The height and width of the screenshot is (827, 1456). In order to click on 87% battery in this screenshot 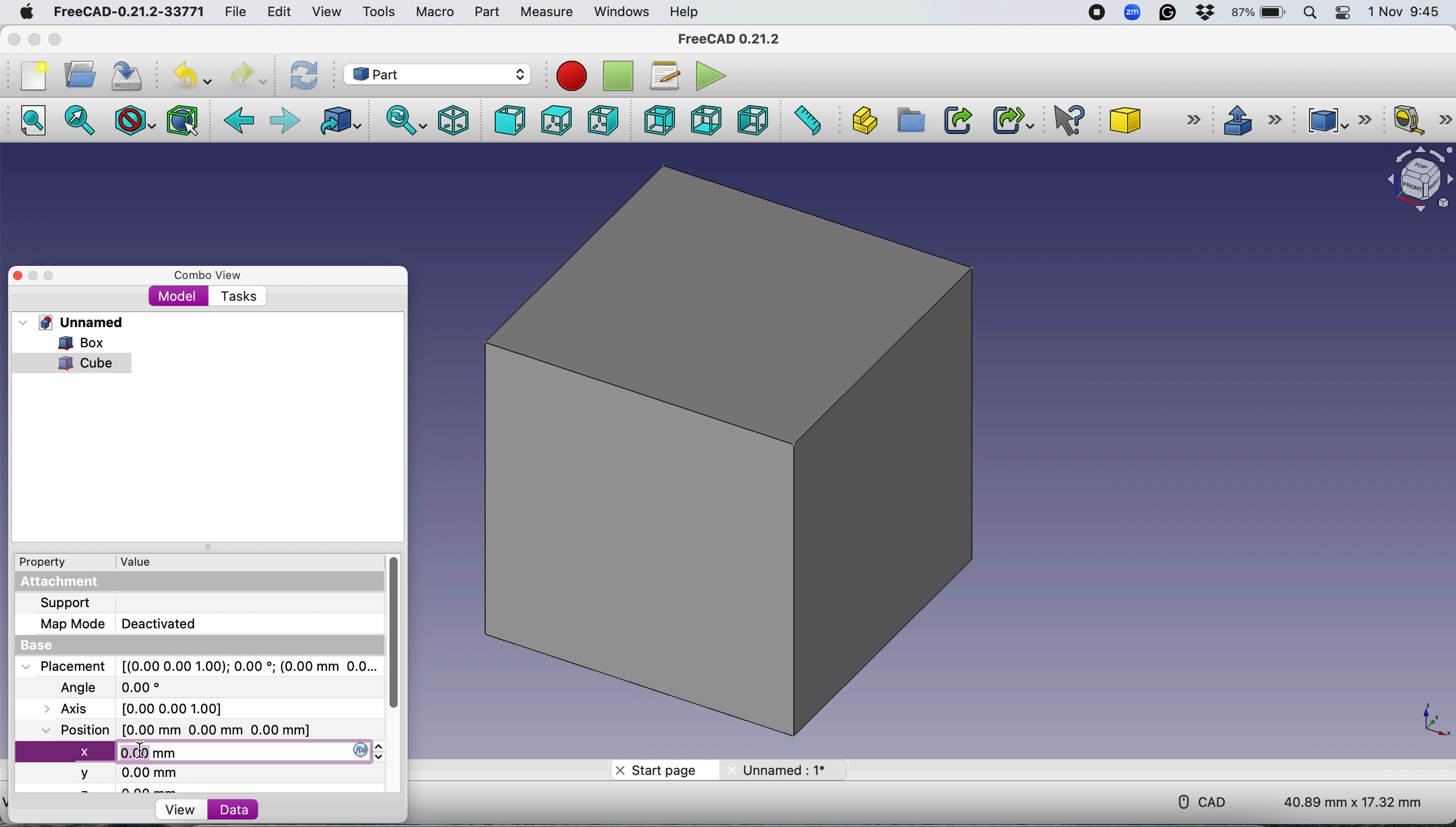, I will do `click(1260, 13)`.